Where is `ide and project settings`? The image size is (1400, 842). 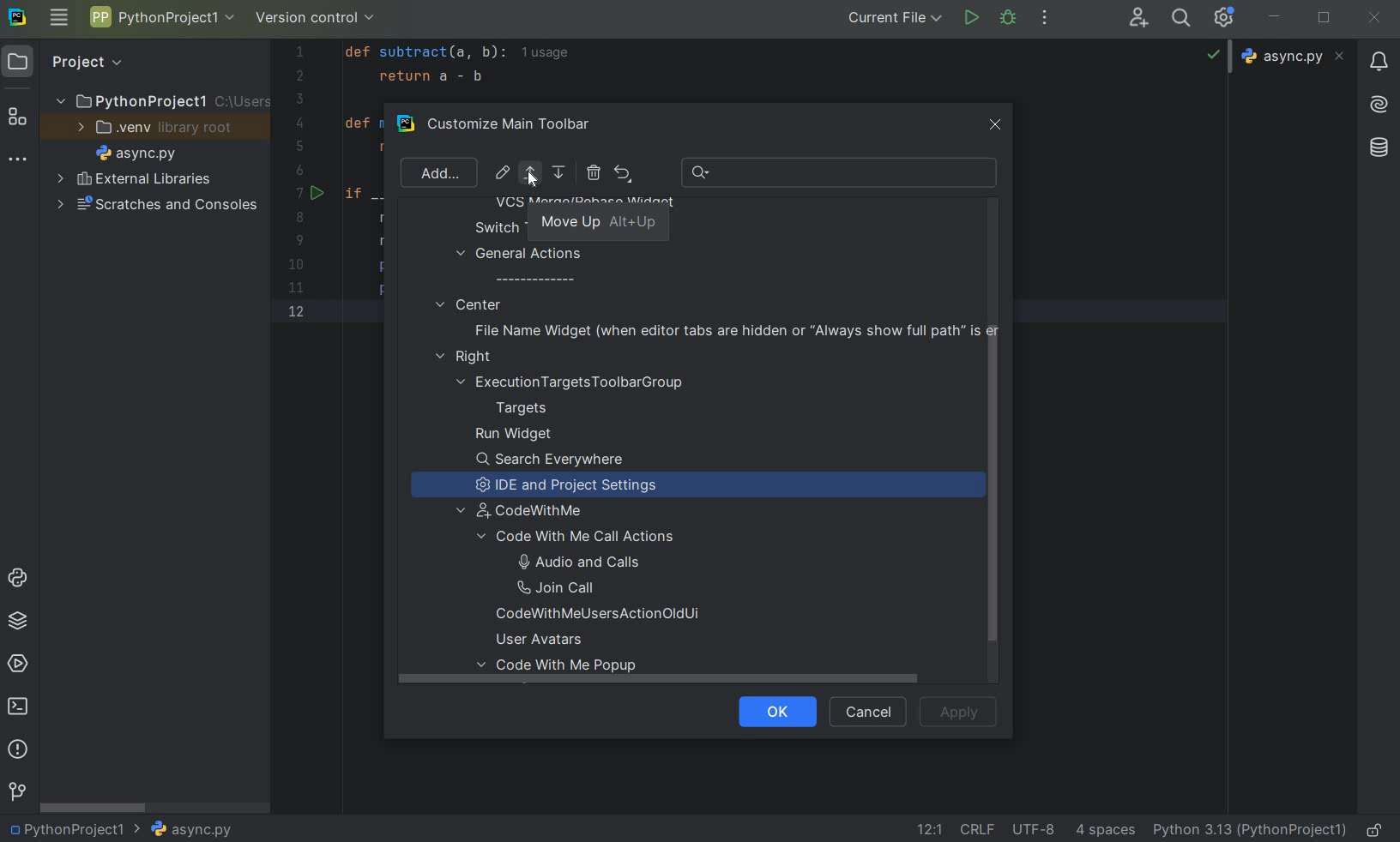 ide and project settings is located at coordinates (574, 486).